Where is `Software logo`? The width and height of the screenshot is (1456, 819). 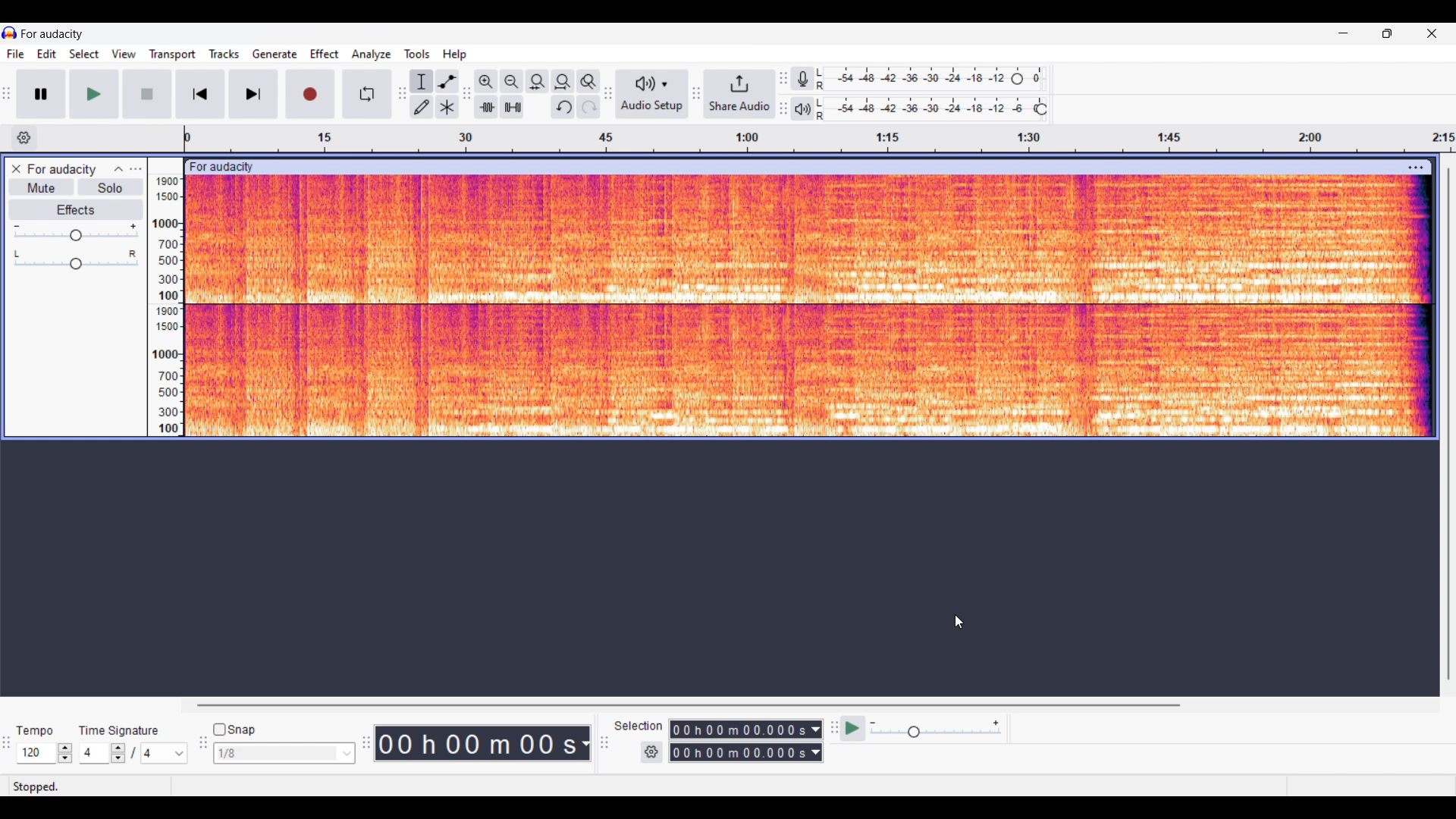
Software logo is located at coordinates (10, 33).